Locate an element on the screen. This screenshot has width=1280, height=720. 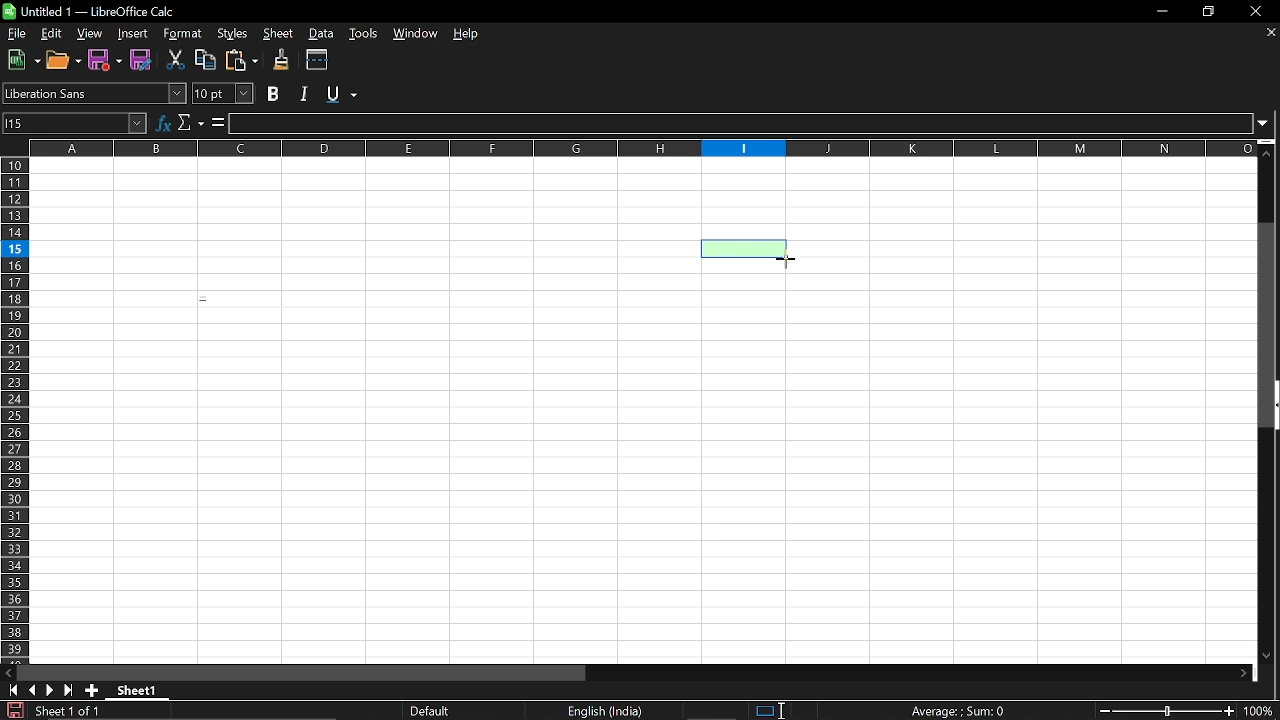
Save is located at coordinates (12, 711).